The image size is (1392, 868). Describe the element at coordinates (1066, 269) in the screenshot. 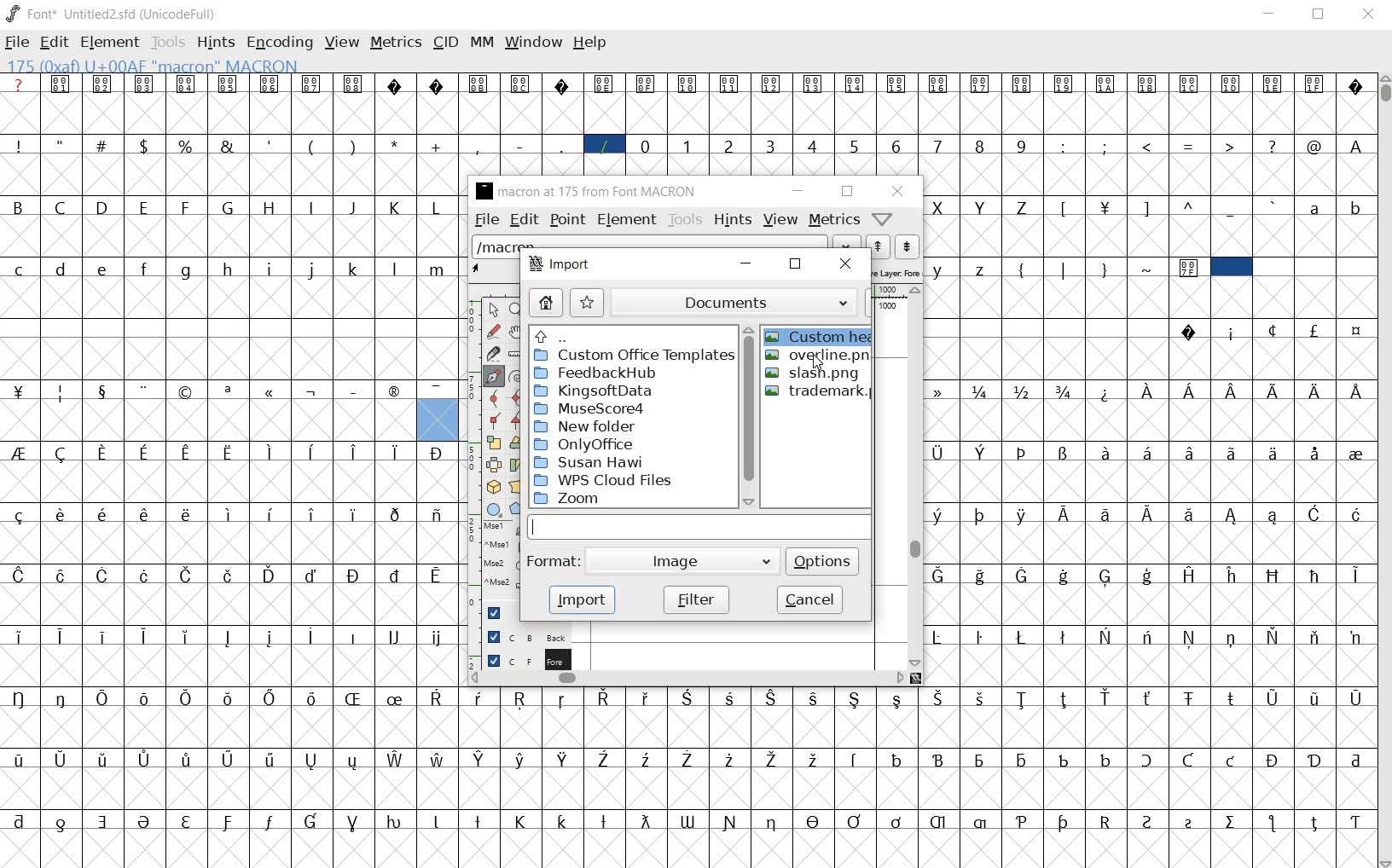

I see `|` at that location.